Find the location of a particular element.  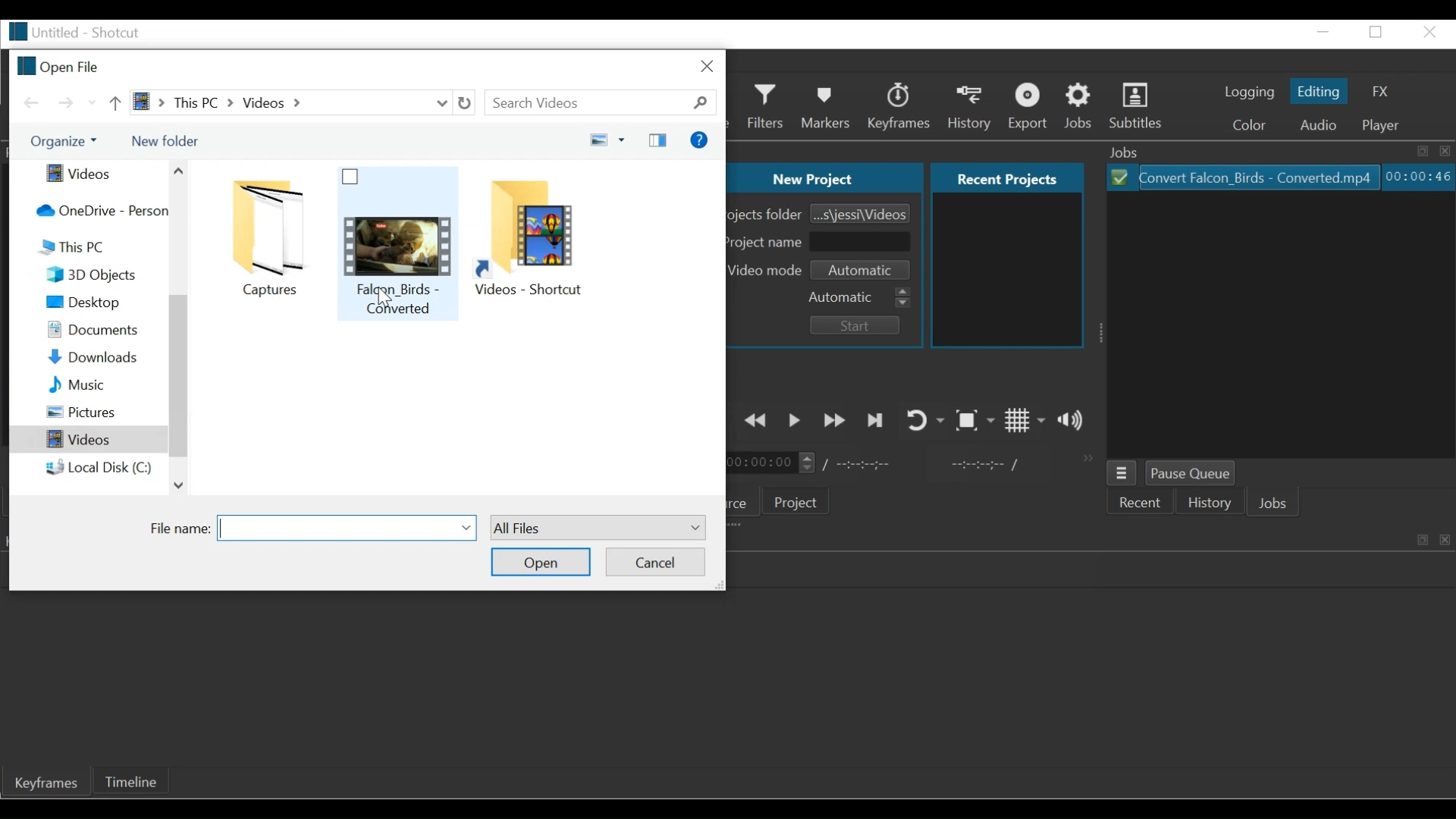

File name is located at coordinates (42, 31).